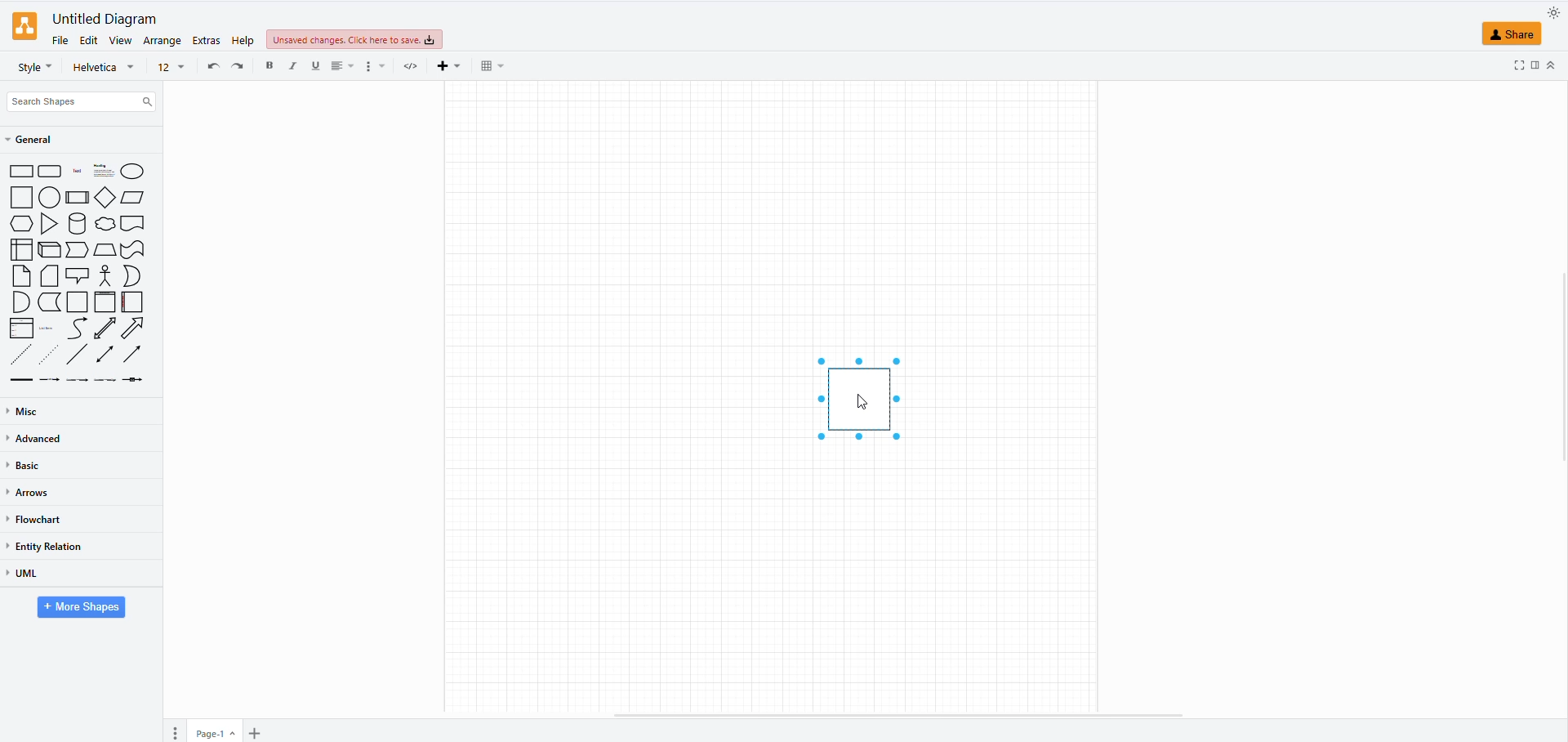  Describe the element at coordinates (1554, 67) in the screenshot. I see `up` at that location.